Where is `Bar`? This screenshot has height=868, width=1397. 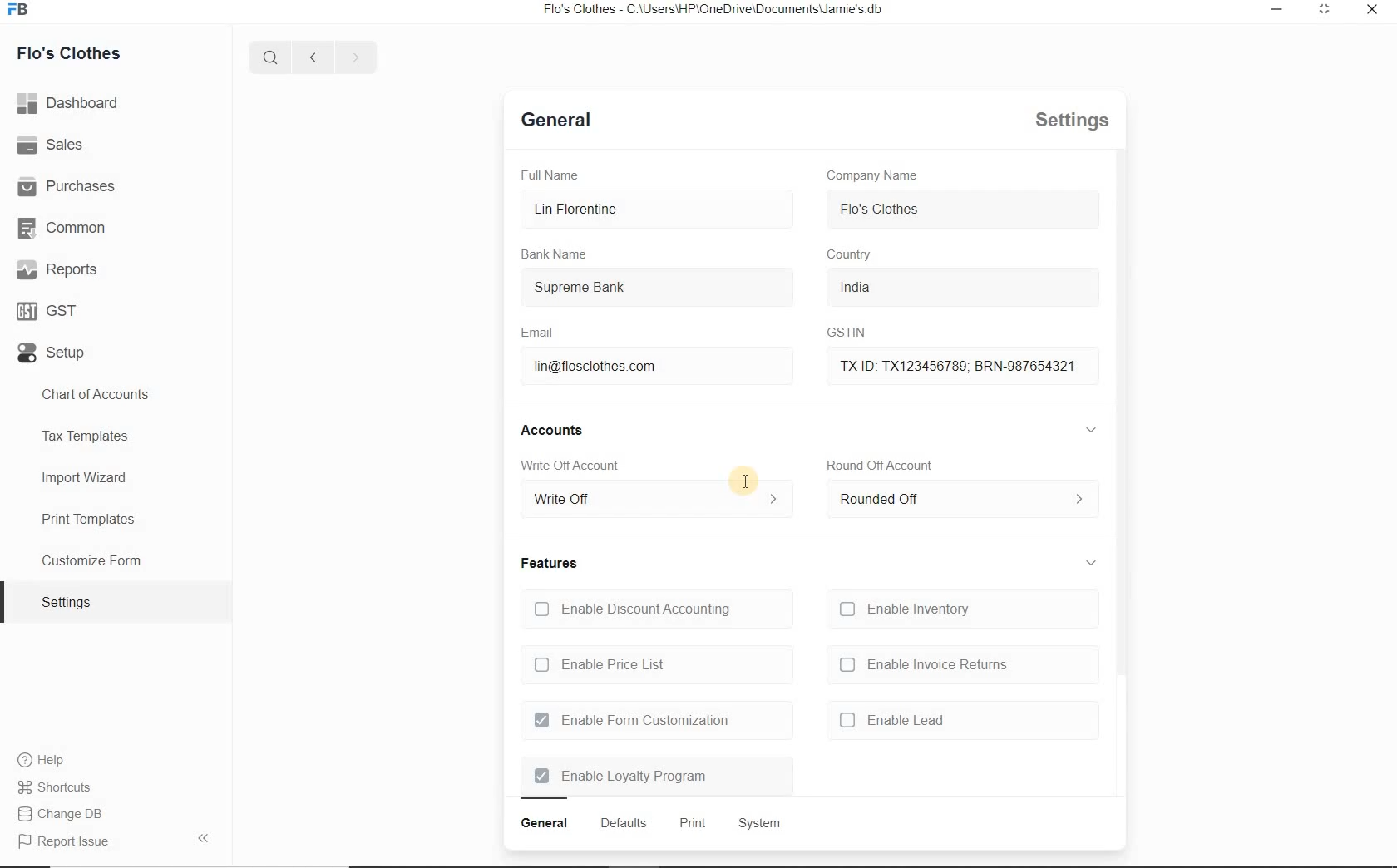 Bar is located at coordinates (544, 798).